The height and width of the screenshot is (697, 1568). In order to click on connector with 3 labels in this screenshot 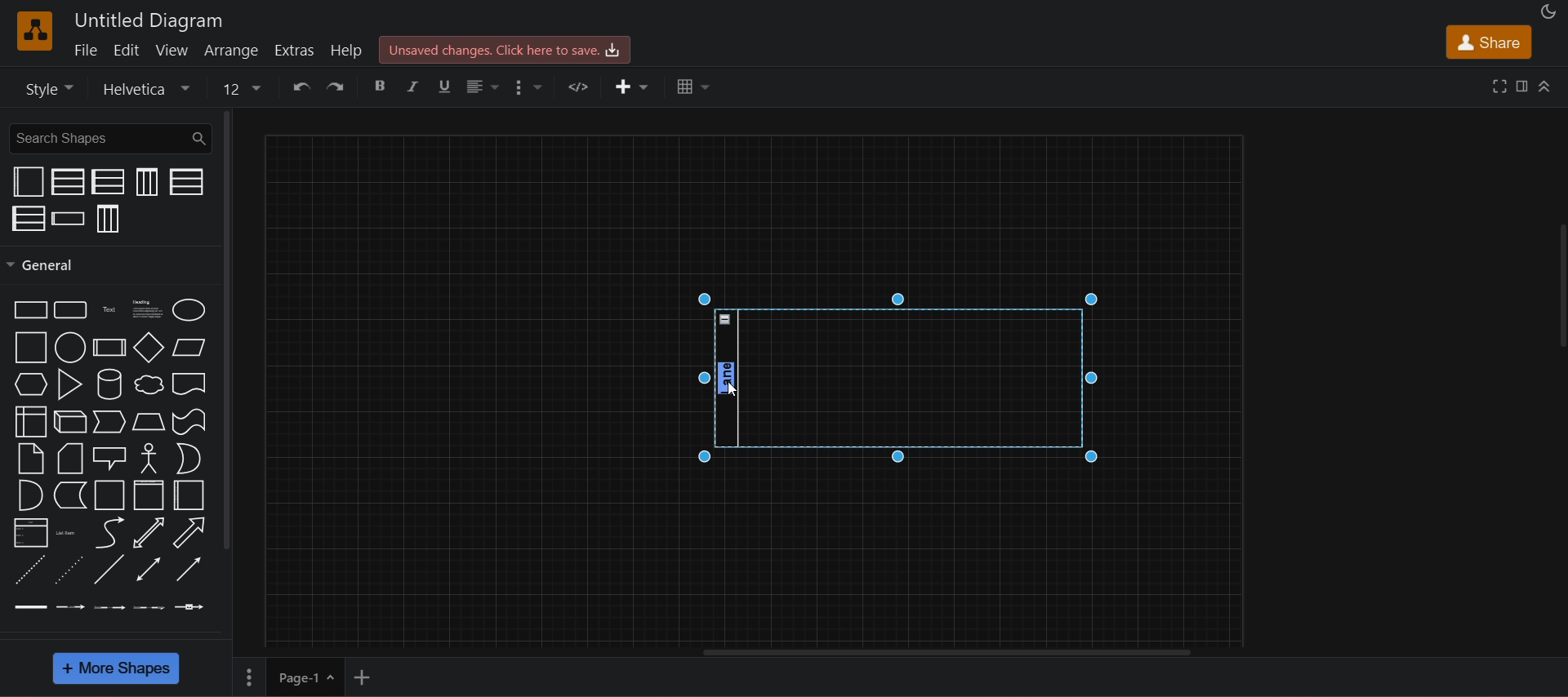, I will do `click(149, 608)`.